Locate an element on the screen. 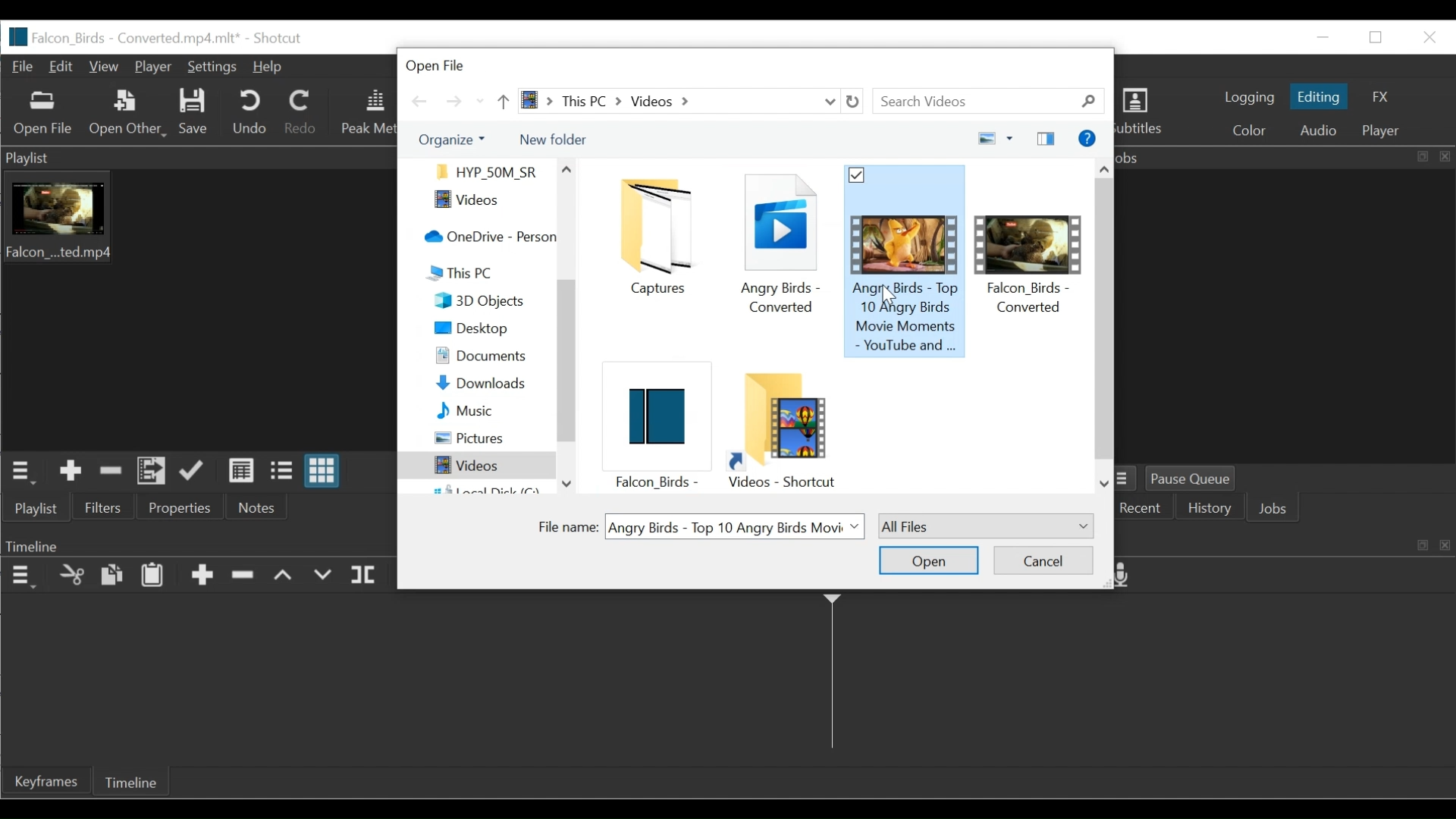 The width and height of the screenshot is (1456, 819). Pause Queue is located at coordinates (1198, 479).